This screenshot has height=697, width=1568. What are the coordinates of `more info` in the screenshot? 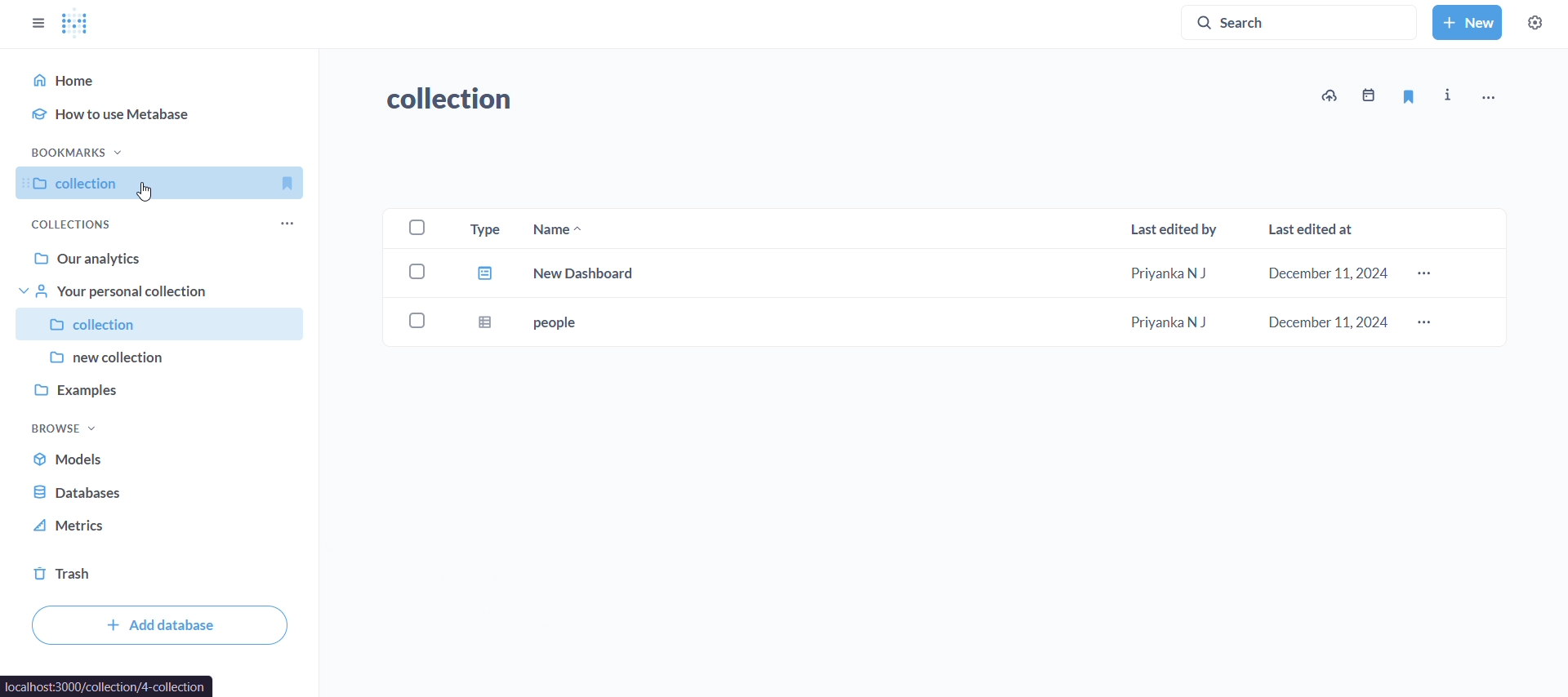 It's located at (1446, 97).